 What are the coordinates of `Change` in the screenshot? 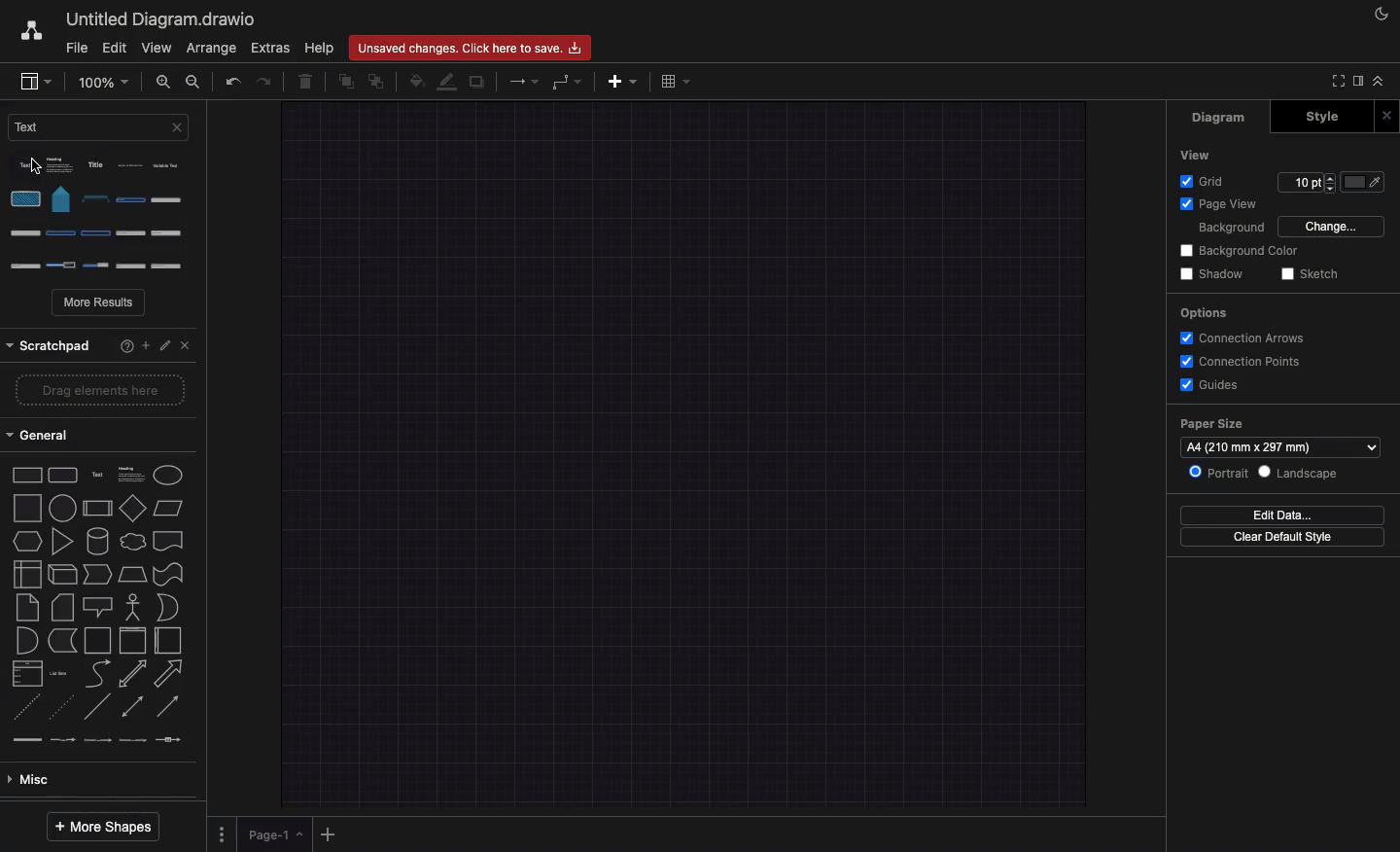 It's located at (1334, 225).